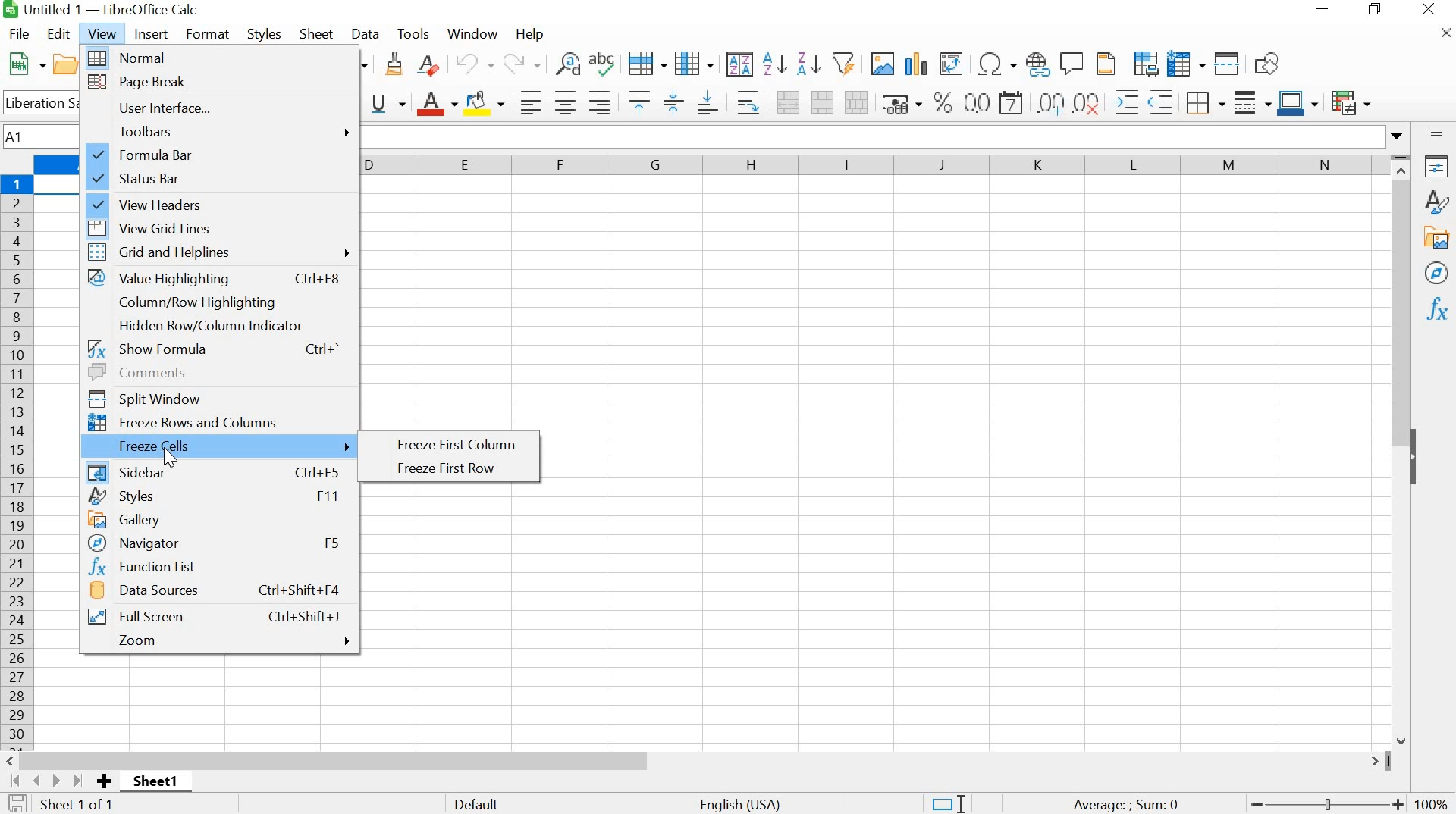 The height and width of the screenshot is (814, 1456). I want to click on NAVIGATOR, so click(1436, 274).